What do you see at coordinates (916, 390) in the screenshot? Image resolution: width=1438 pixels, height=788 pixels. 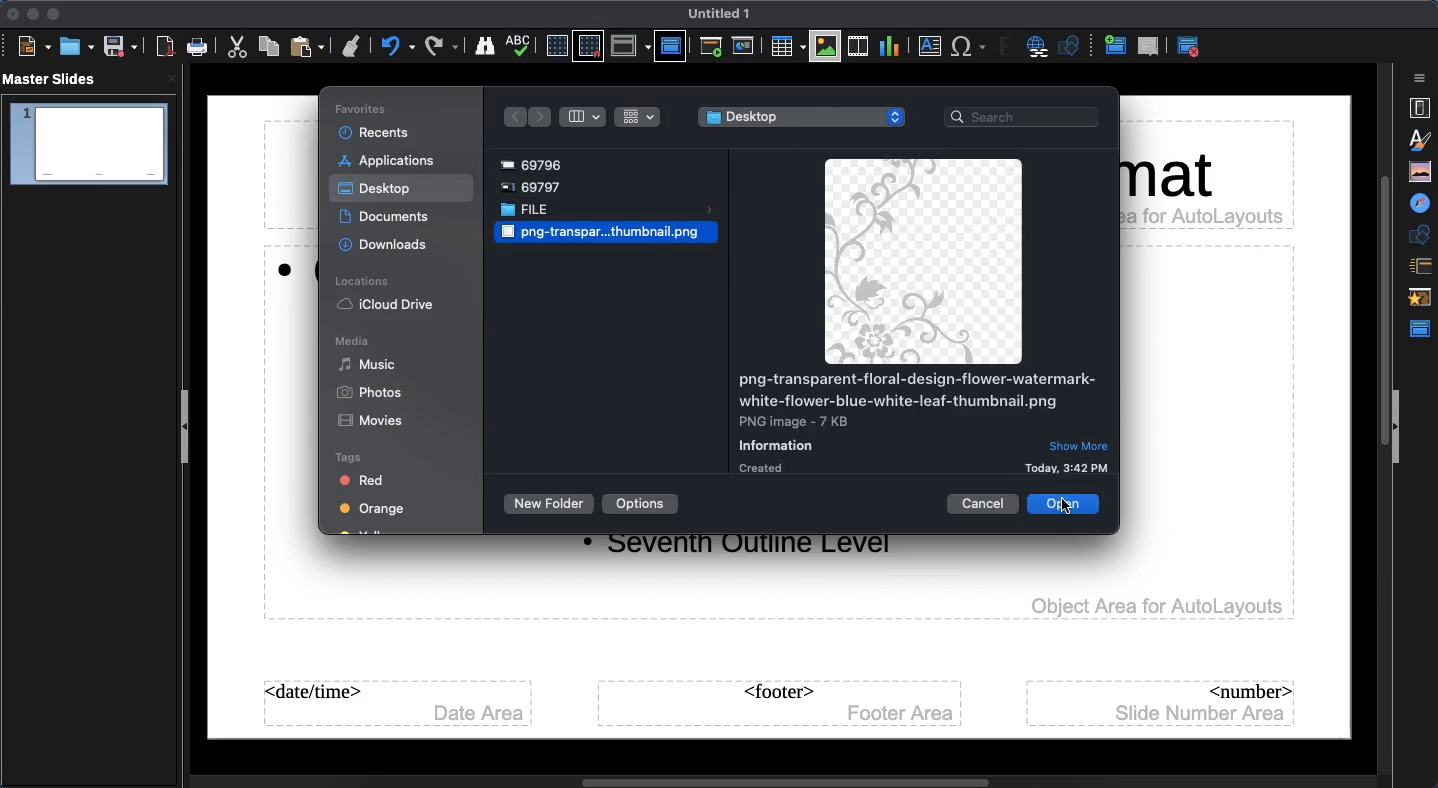 I see `png-transparent-floral-design-flower-watermark-
white-flower-blue-white-leaf-thumbnail.png` at bounding box center [916, 390].